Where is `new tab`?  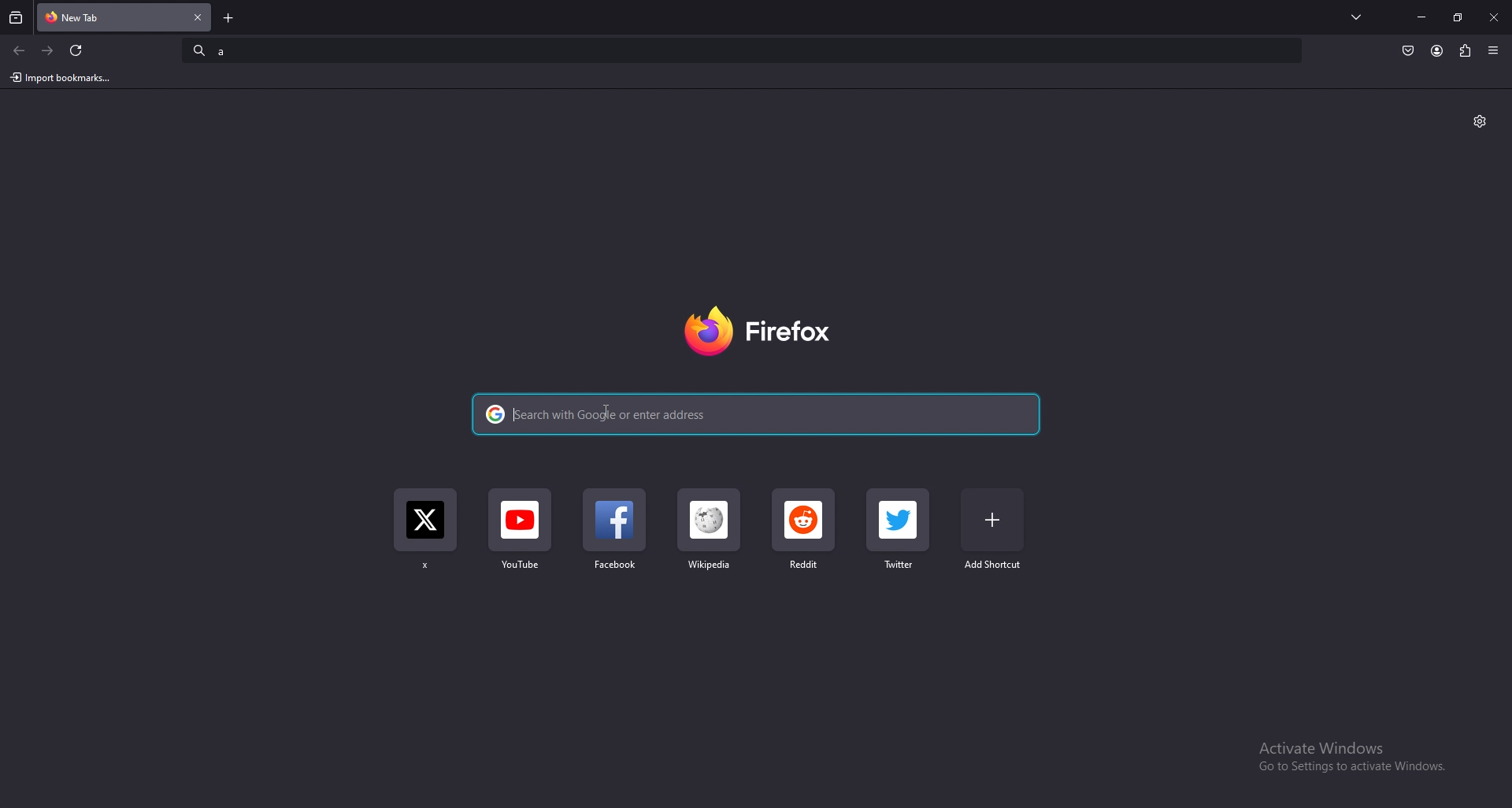
new tab is located at coordinates (231, 18).